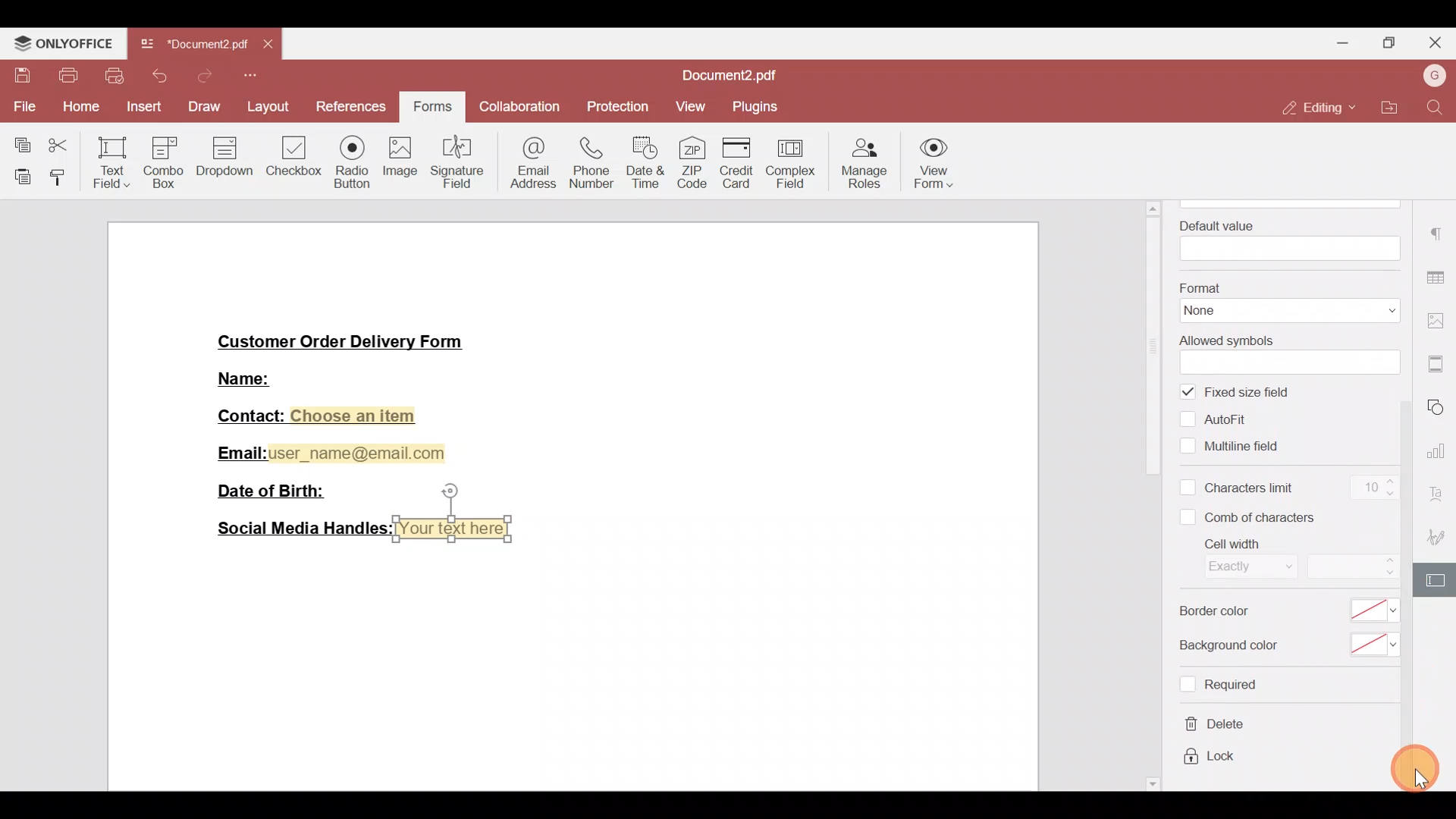 This screenshot has height=819, width=1456. Describe the element at coordinates (167, 160) in the screenshot. I see `Combo box` at that location.